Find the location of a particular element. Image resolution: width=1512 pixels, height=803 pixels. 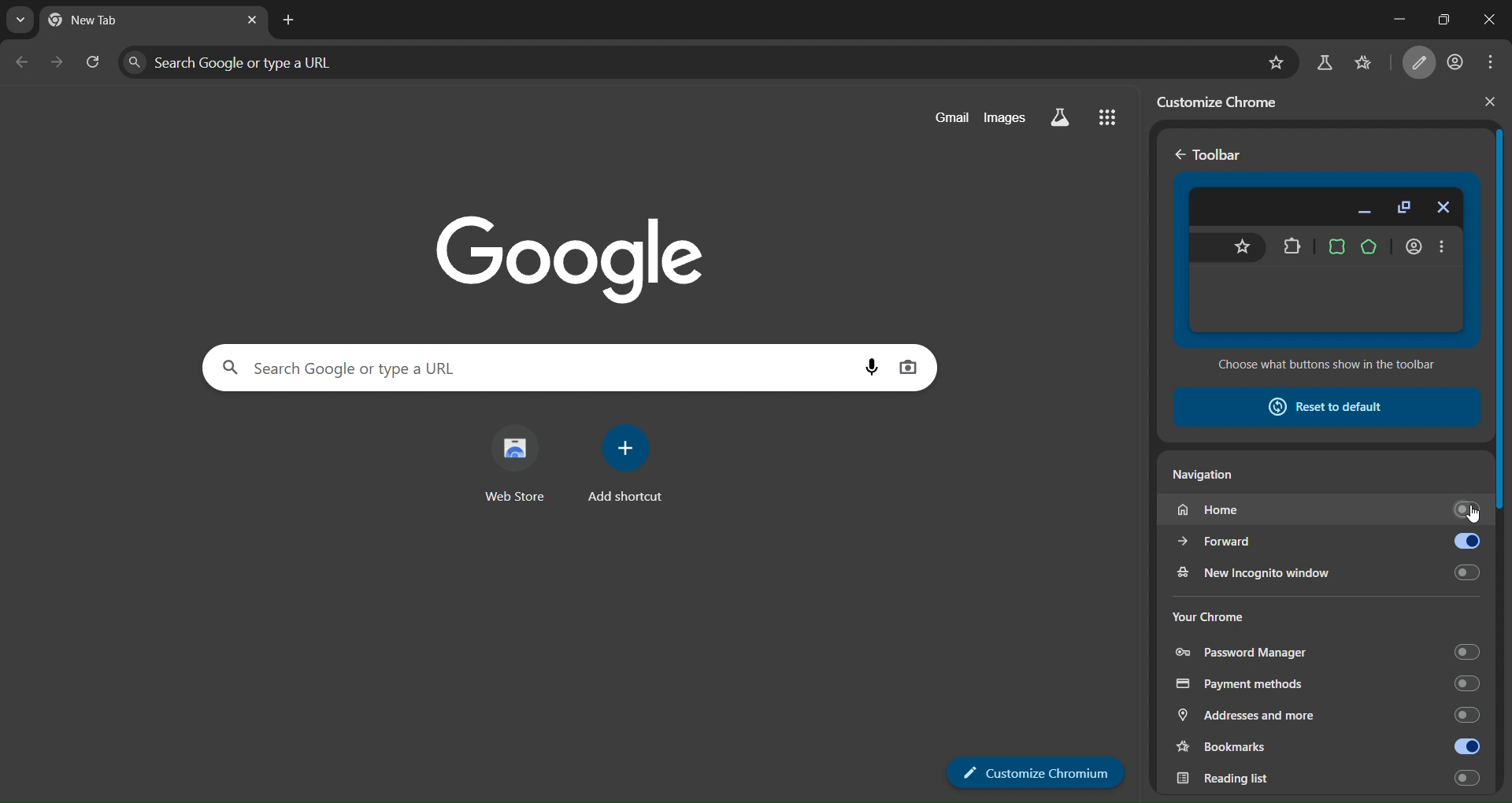

add shortcut is located at coordinates (632, 468).